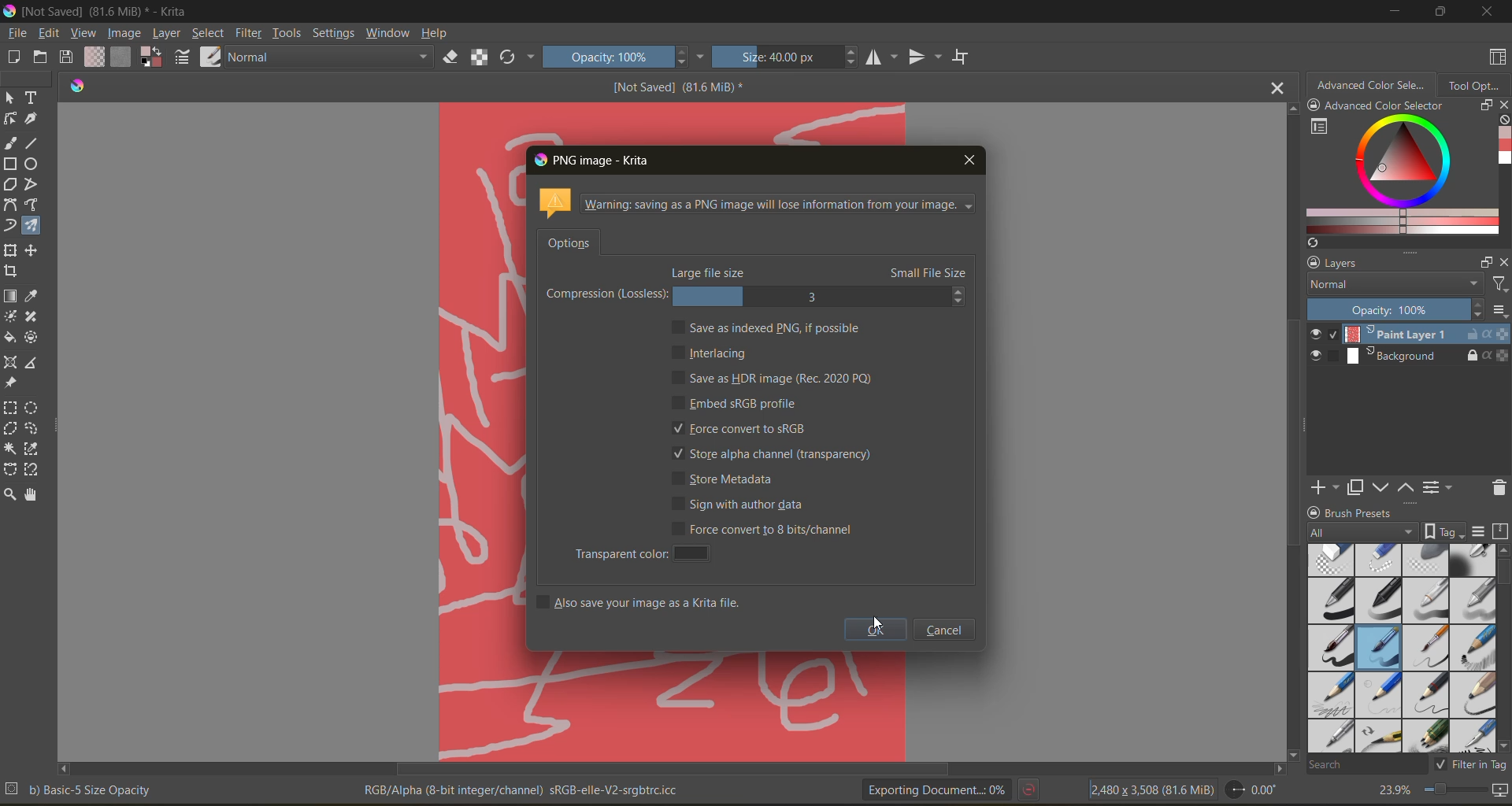 The width and height of the screenshot is (1512, 806). Describe the element at coordinates (1151, 788) in the screenshot. I see `image metadata` at that location.